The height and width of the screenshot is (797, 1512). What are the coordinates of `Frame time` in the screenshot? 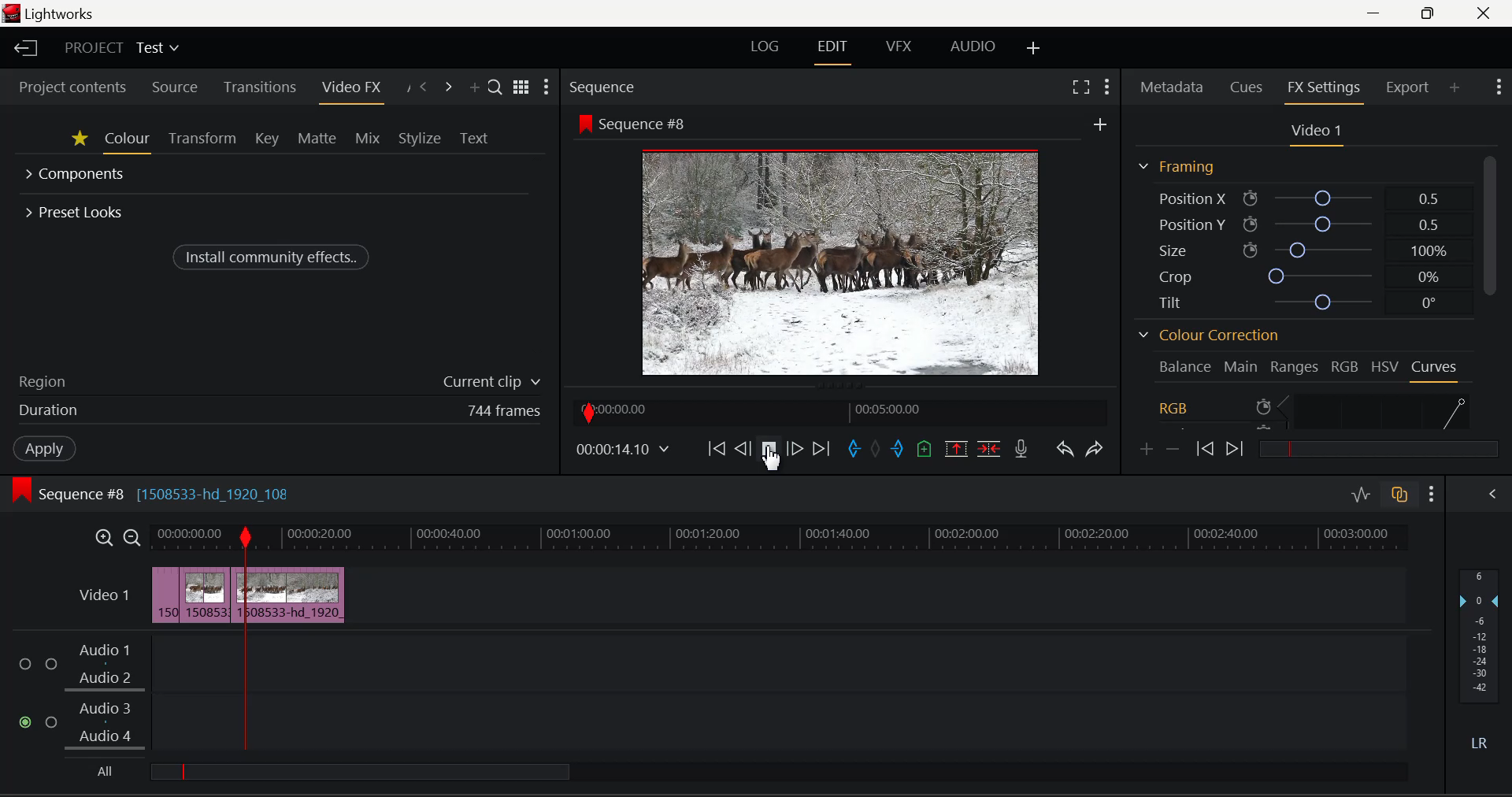 It's located at (625, 451).